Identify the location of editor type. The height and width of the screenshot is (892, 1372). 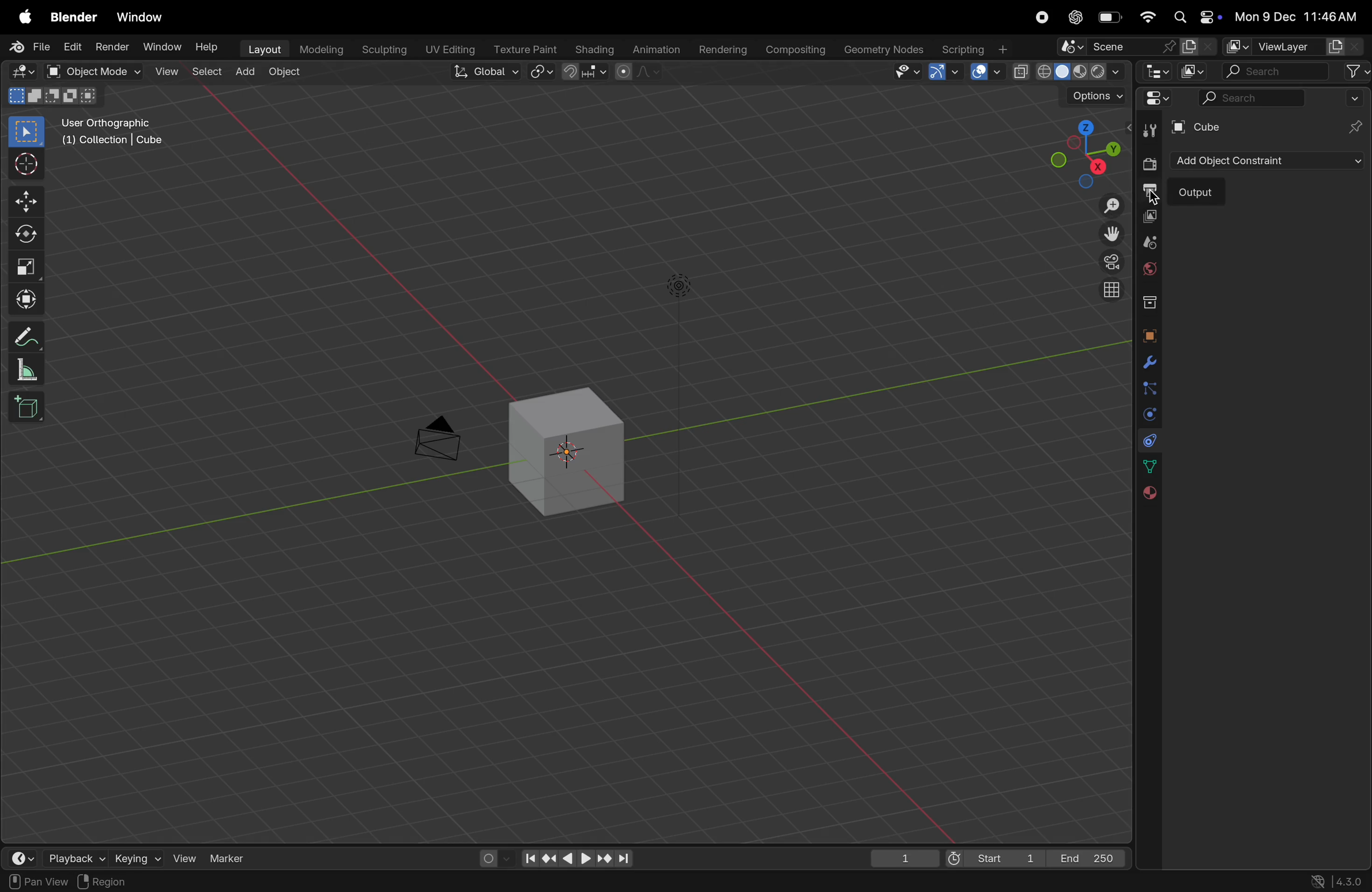
(21, 72).